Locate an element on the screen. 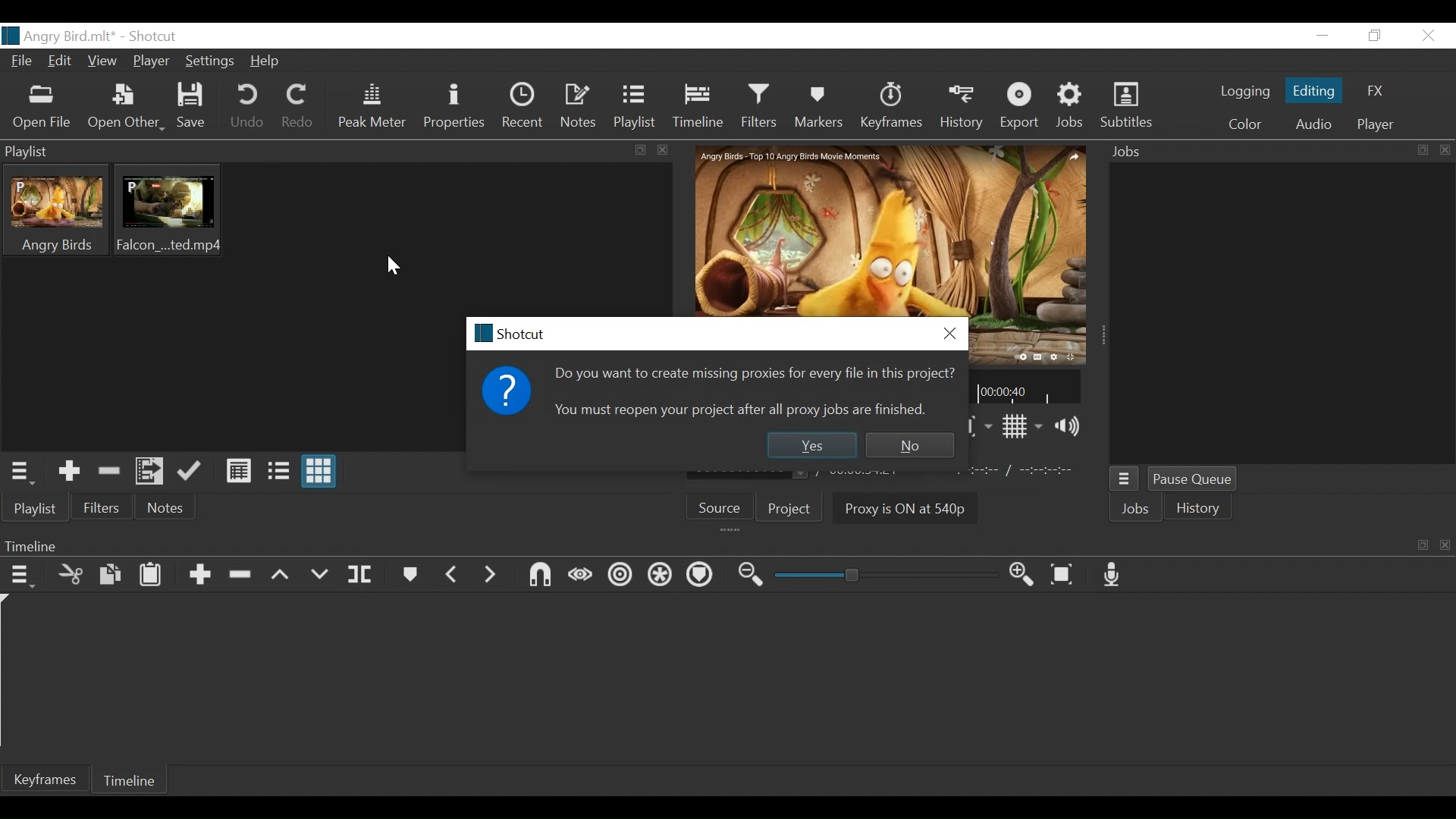 The width and height of the screenshot is (1456, 819). Ripple is located at coordinates (618, 575).